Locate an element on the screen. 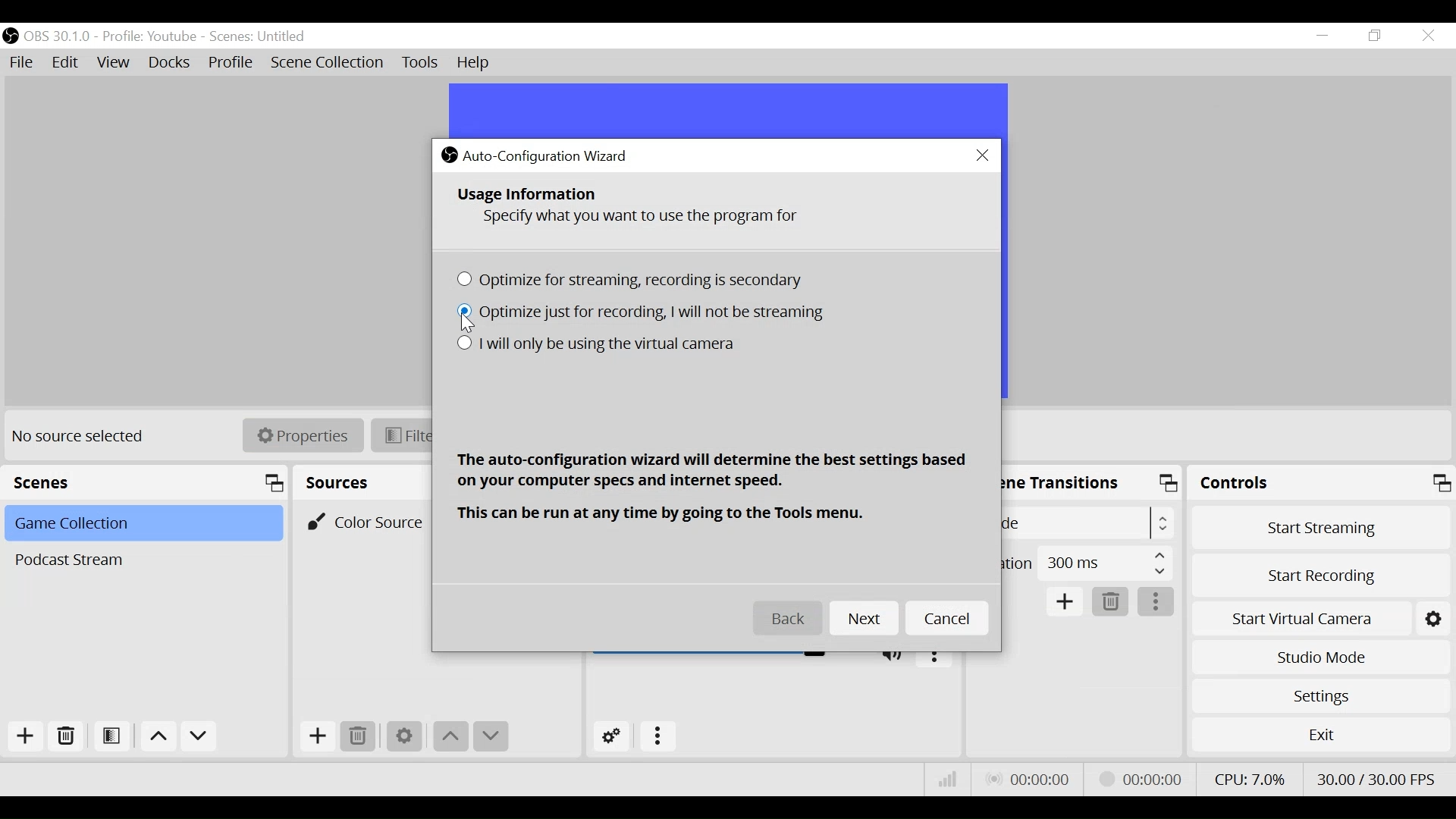 This screenshot has height=819, width=1456. scene is located at coordinates (259, 37).